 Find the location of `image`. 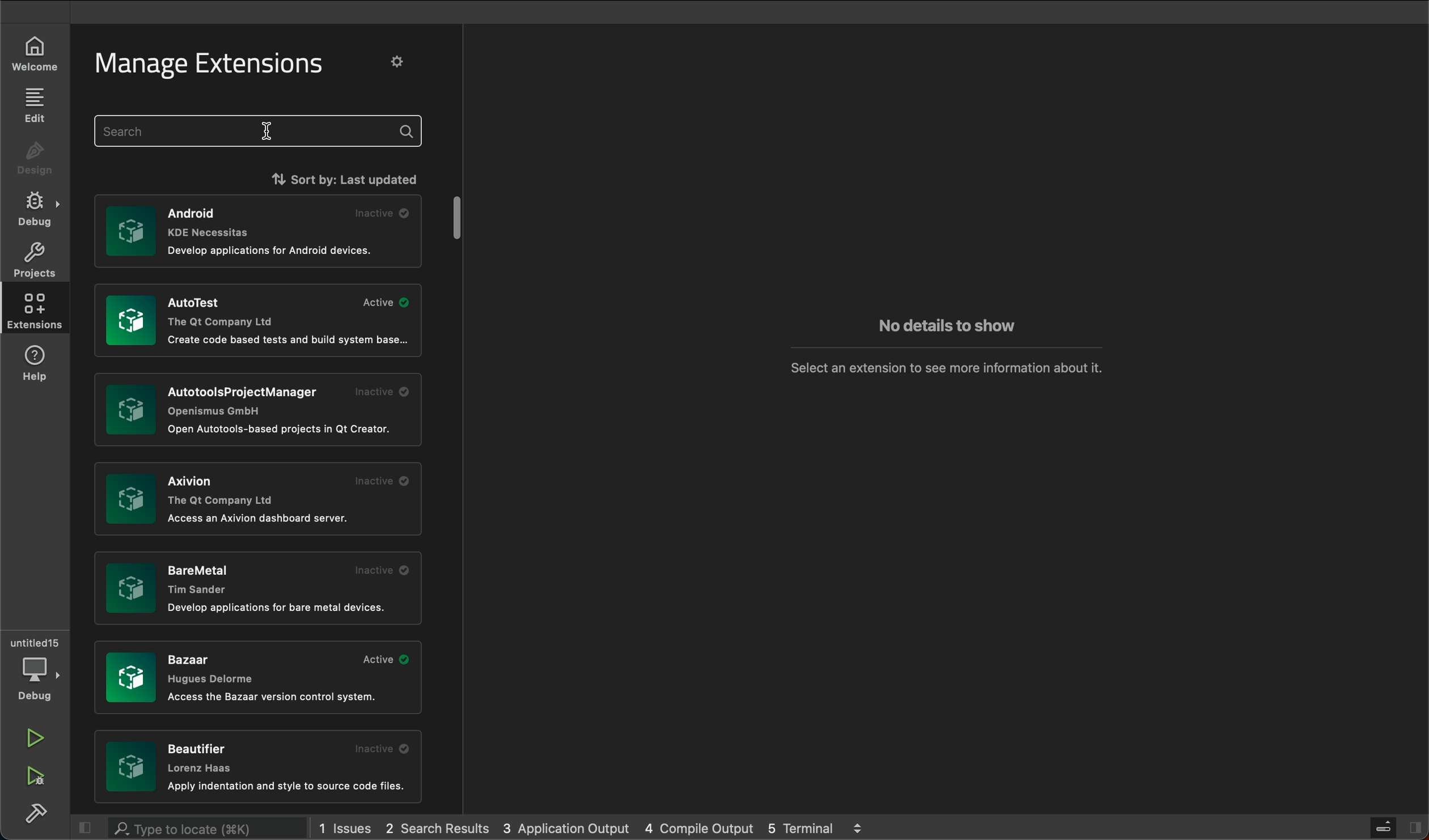

image is located at coordinates (132, 768).